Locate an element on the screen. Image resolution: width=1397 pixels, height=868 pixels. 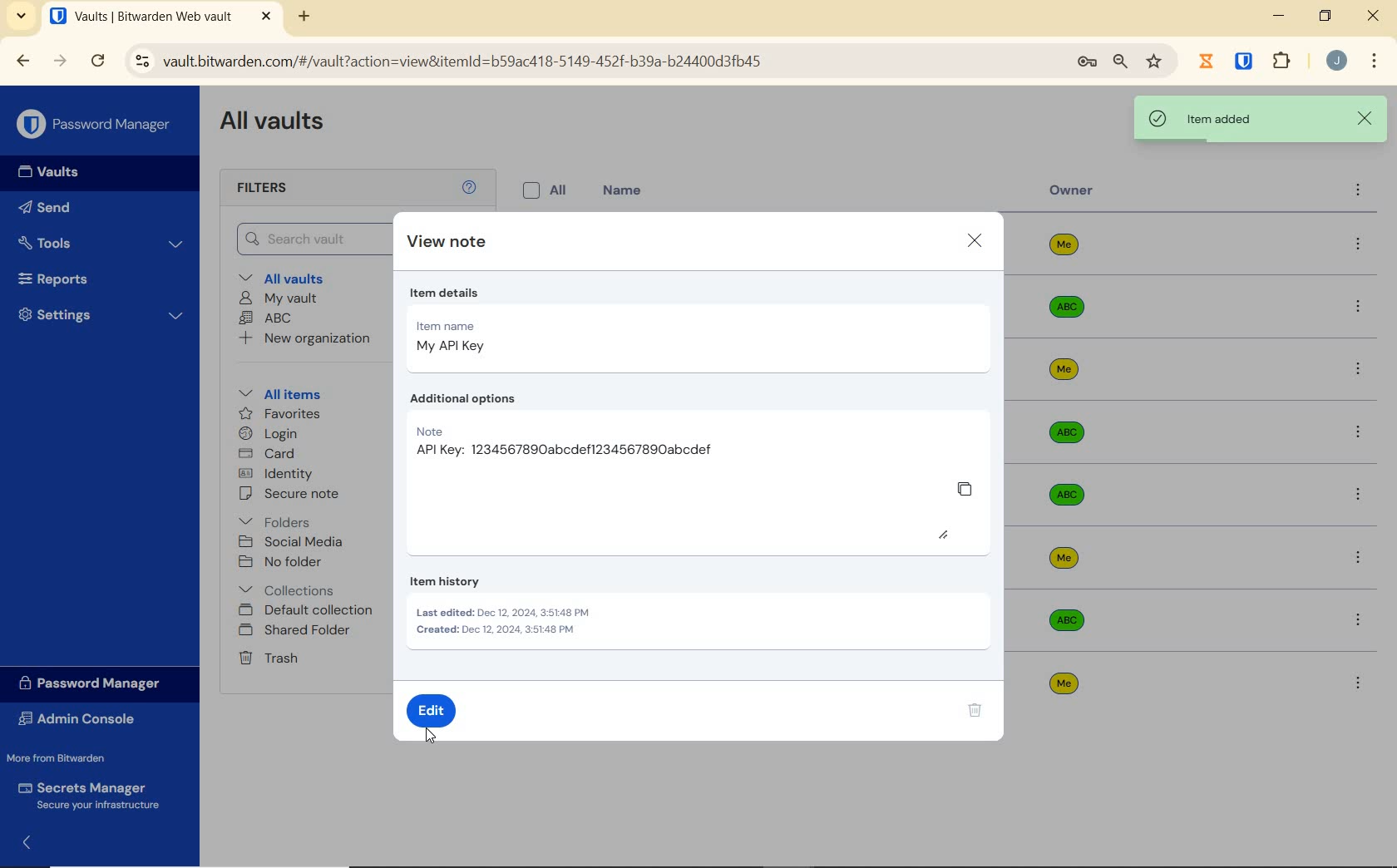
BACK is located at coordinates (23, 60).